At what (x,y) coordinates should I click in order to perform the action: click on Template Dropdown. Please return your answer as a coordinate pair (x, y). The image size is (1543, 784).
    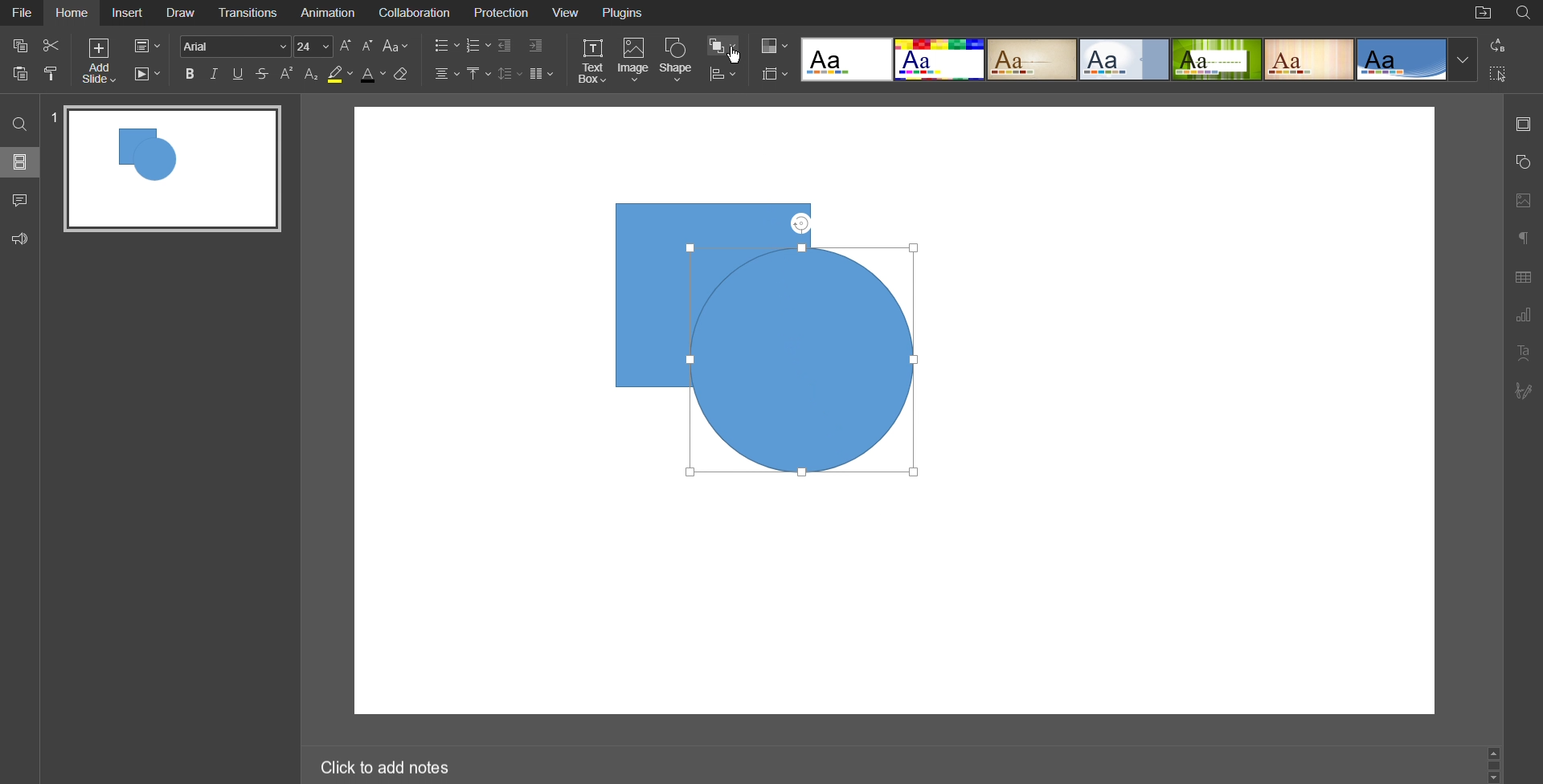
    Looking at the image, I should click on (1463, 59).